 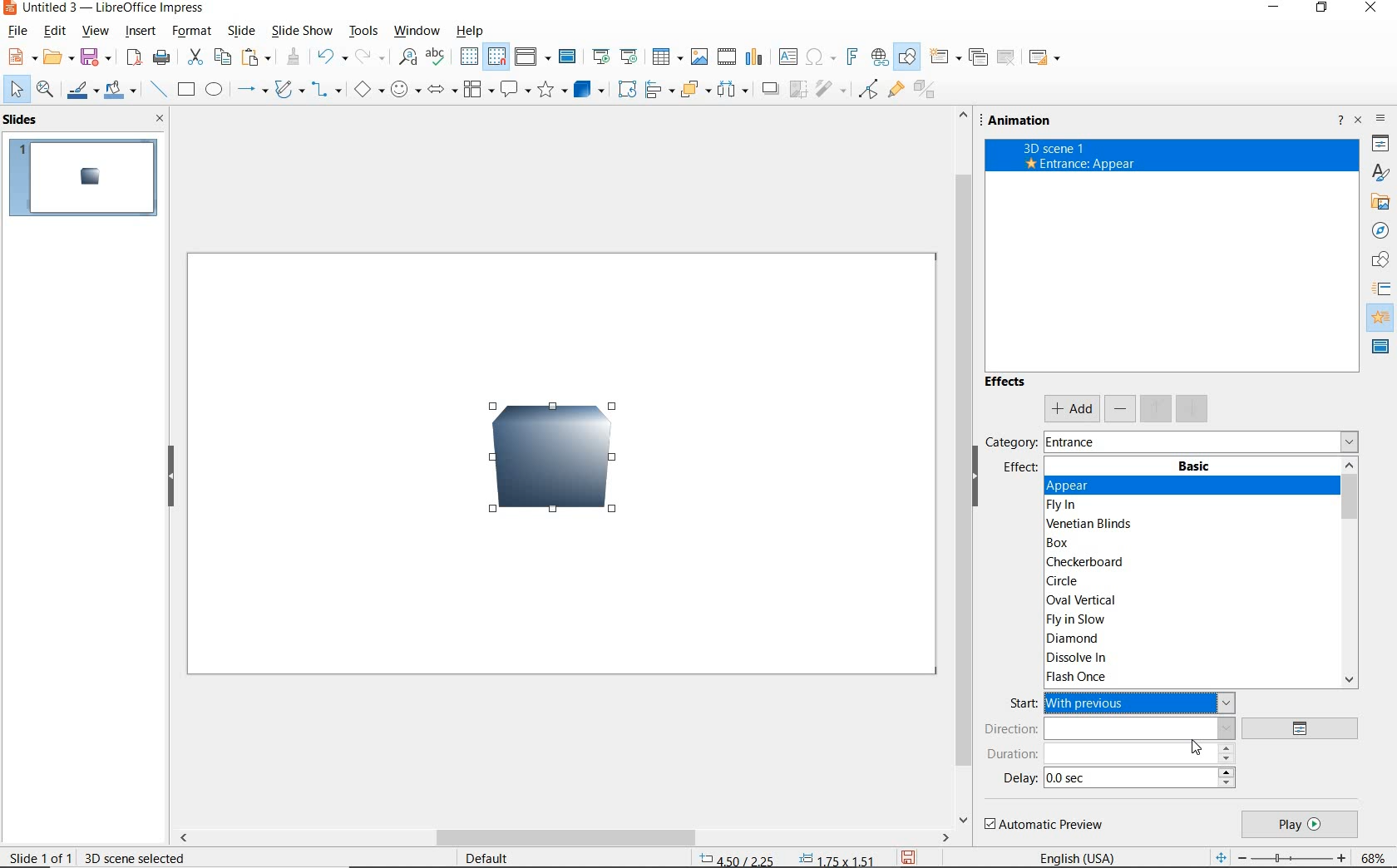 I want to click on FLY IN, so click(x=1065, y=506).